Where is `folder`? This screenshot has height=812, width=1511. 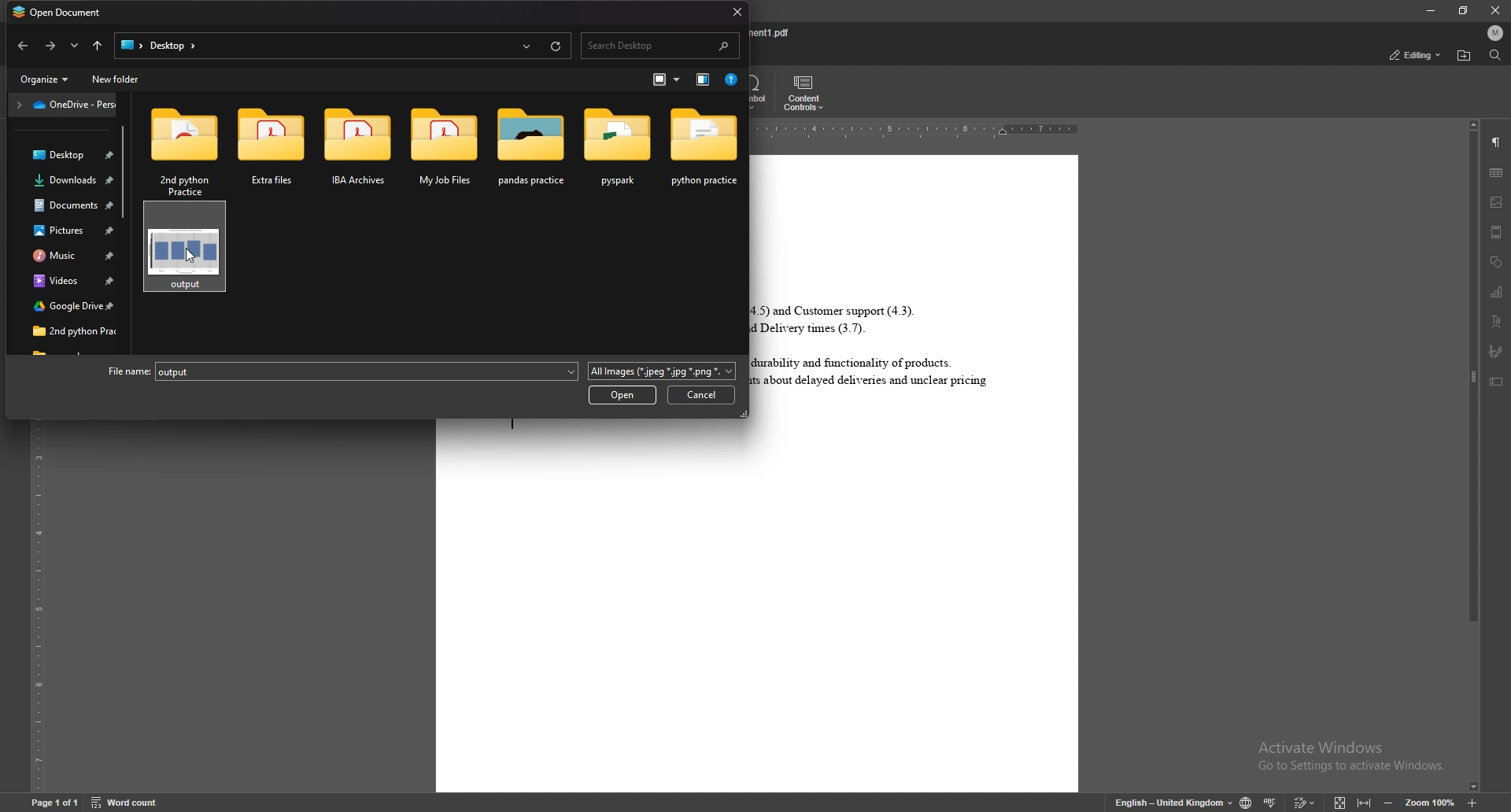 folder is located at coordinates (528, 149).